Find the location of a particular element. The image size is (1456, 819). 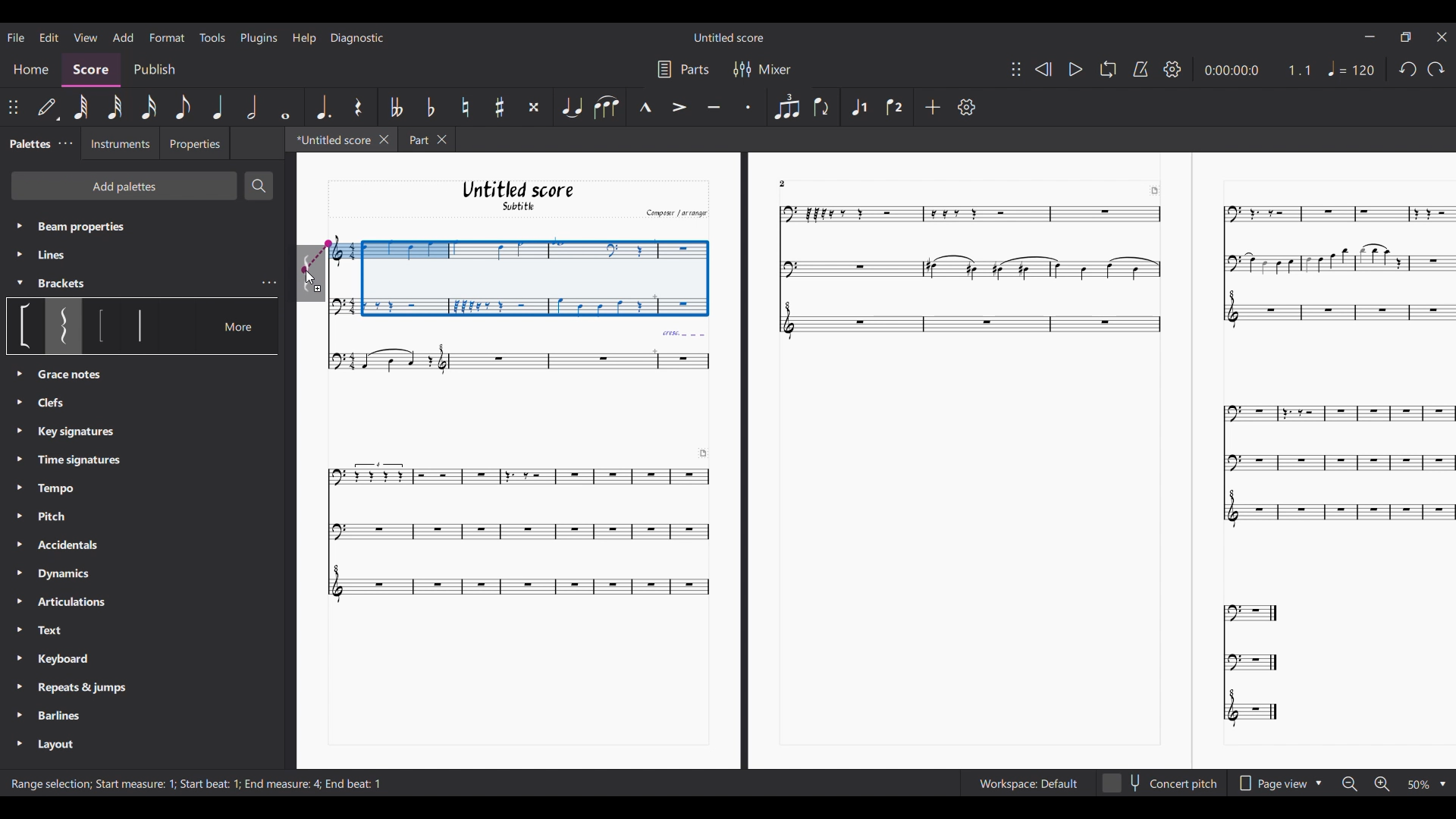

 is located at coordinates (17, 574).